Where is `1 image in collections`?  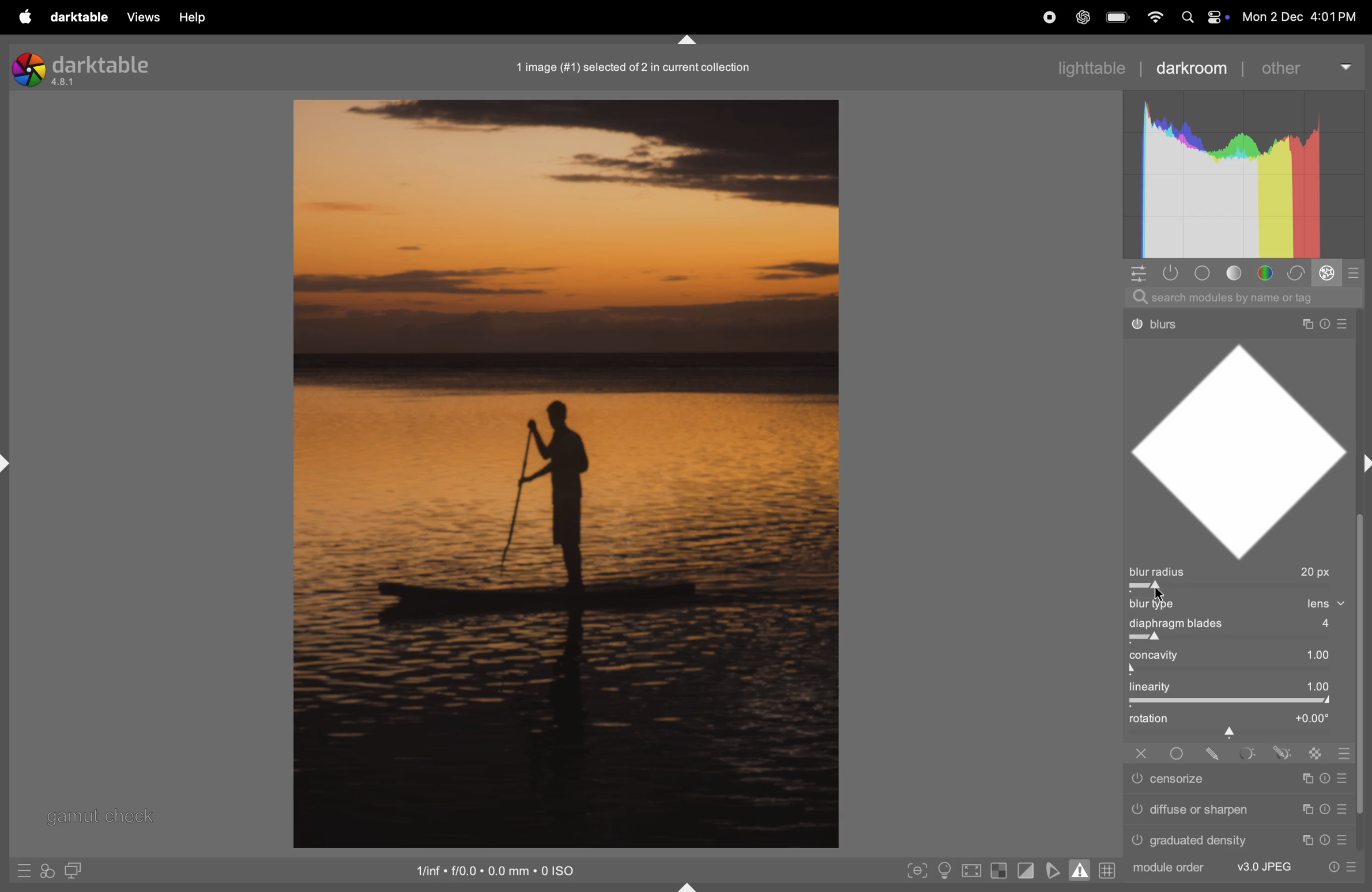 1 image in collections is located at coordinates (639, 66).